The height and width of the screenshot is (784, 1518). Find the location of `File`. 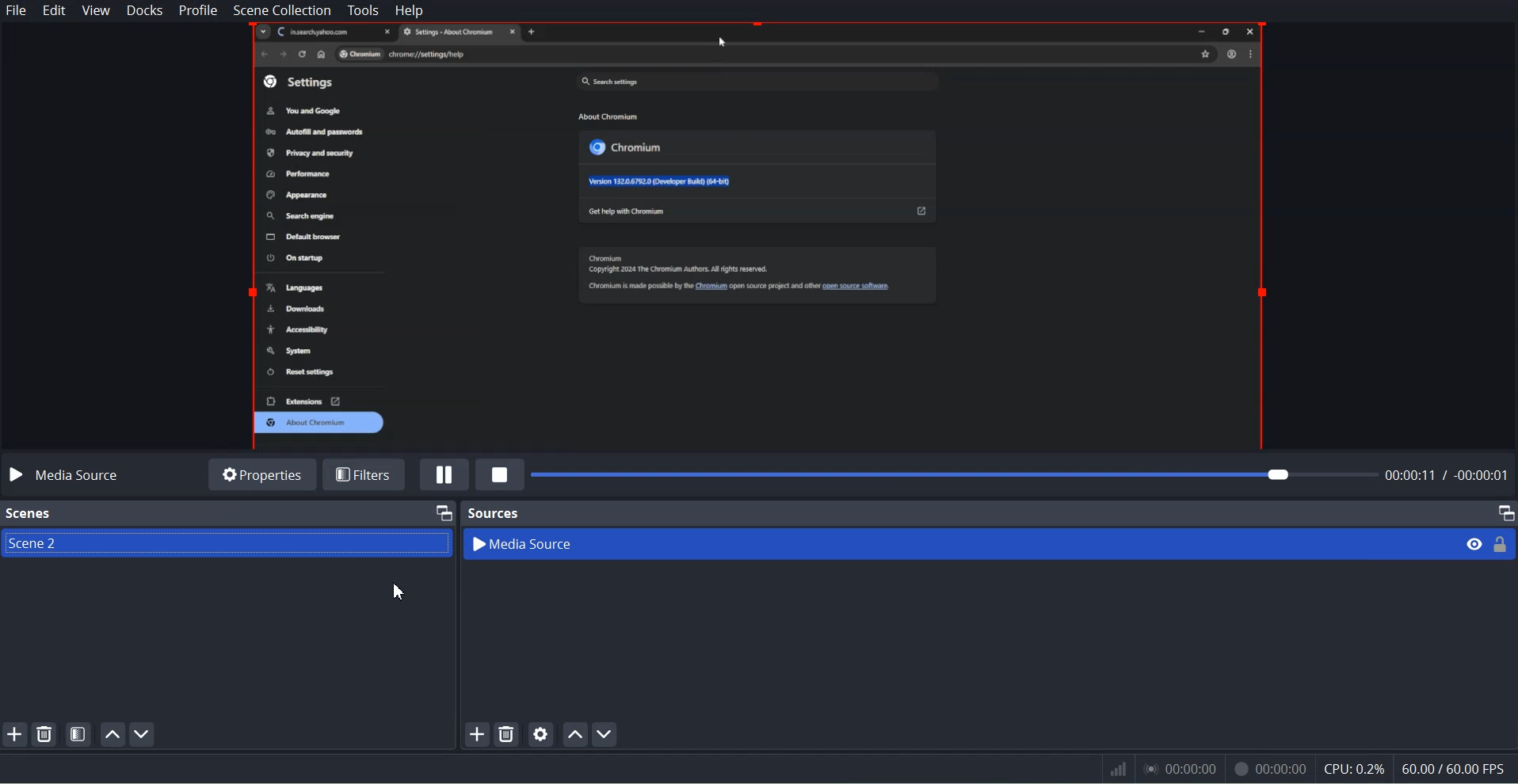

File is located at coordinates (17, 10).